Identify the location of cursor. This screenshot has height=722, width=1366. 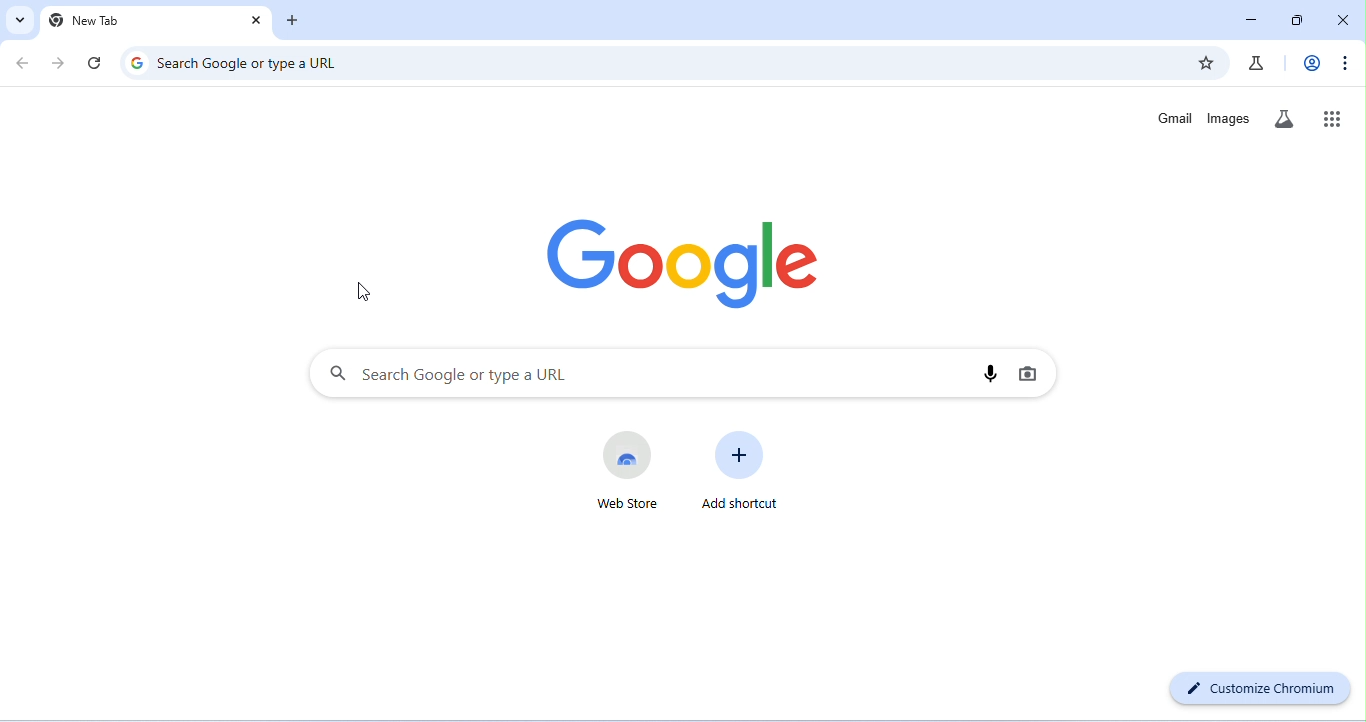
(364, 291).